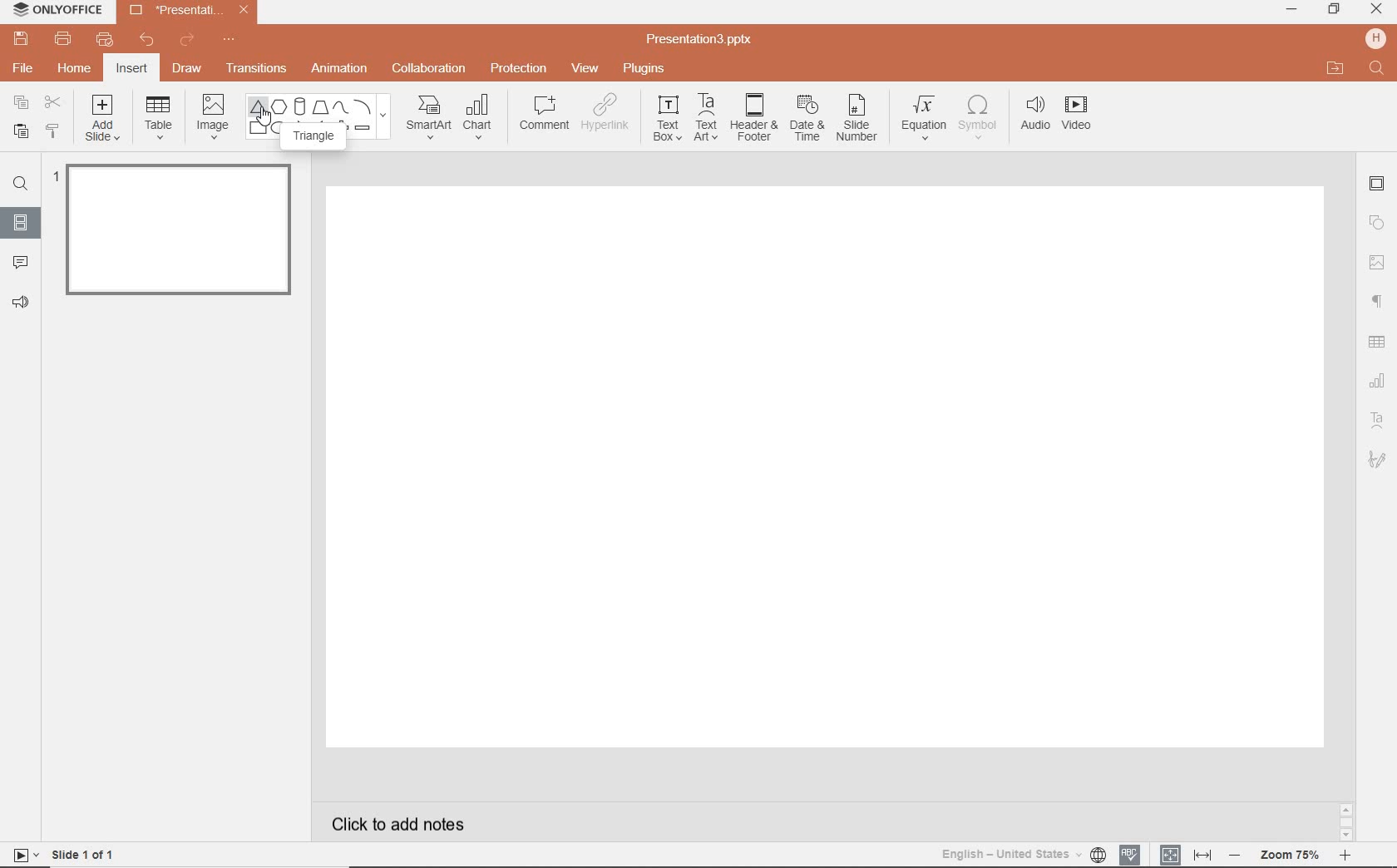 This screenshot has width=1397, height=868. Describe the element at coordinates (1378, 302) in the screenshot. I see `PARAGRAPH SETTINGS` at that location.